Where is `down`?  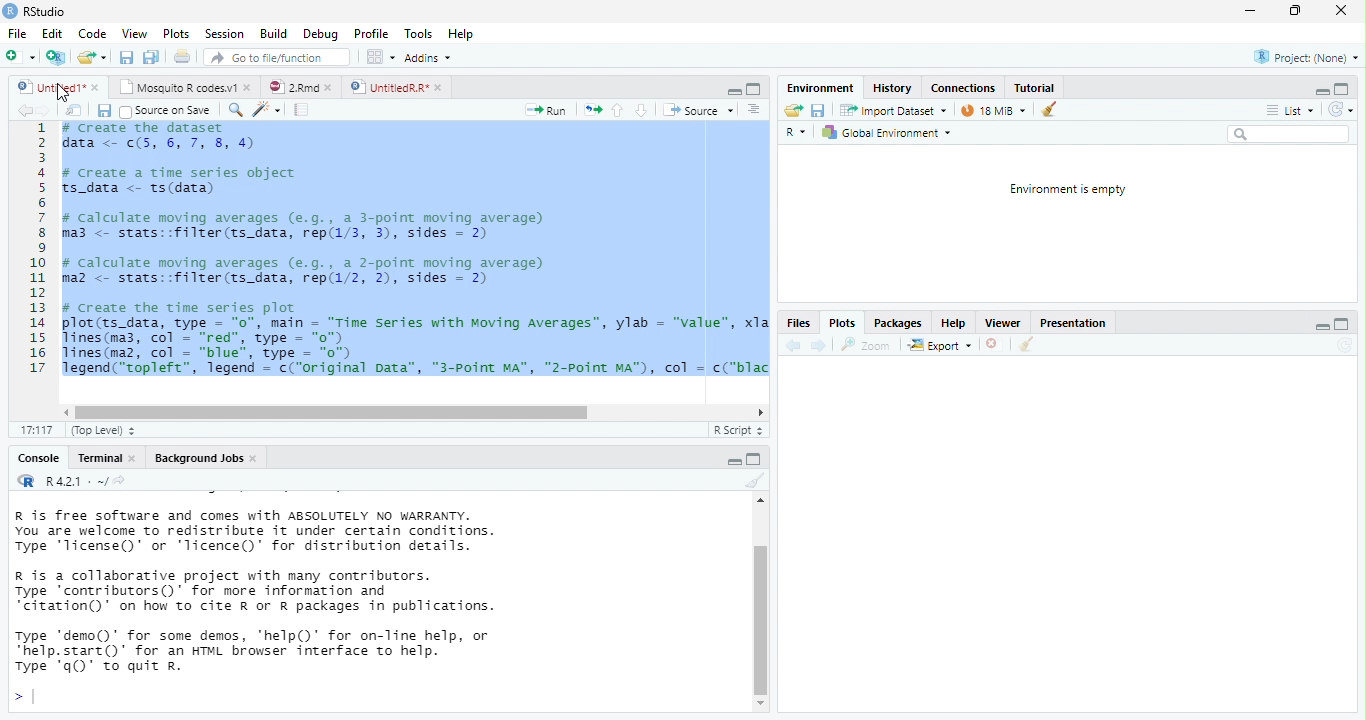 down is located at coordinates (641, 110).